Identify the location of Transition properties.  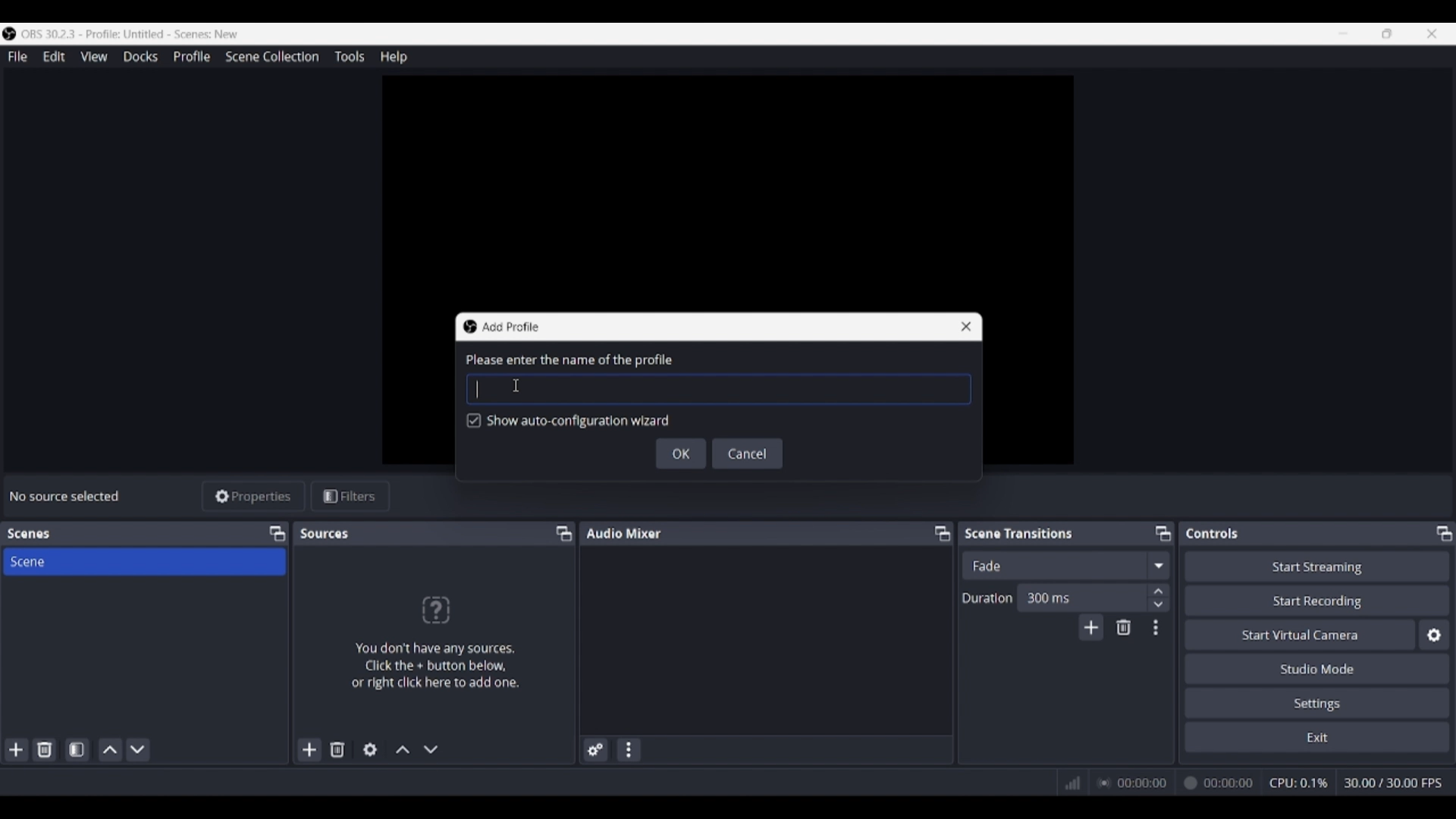
(1156, 628).